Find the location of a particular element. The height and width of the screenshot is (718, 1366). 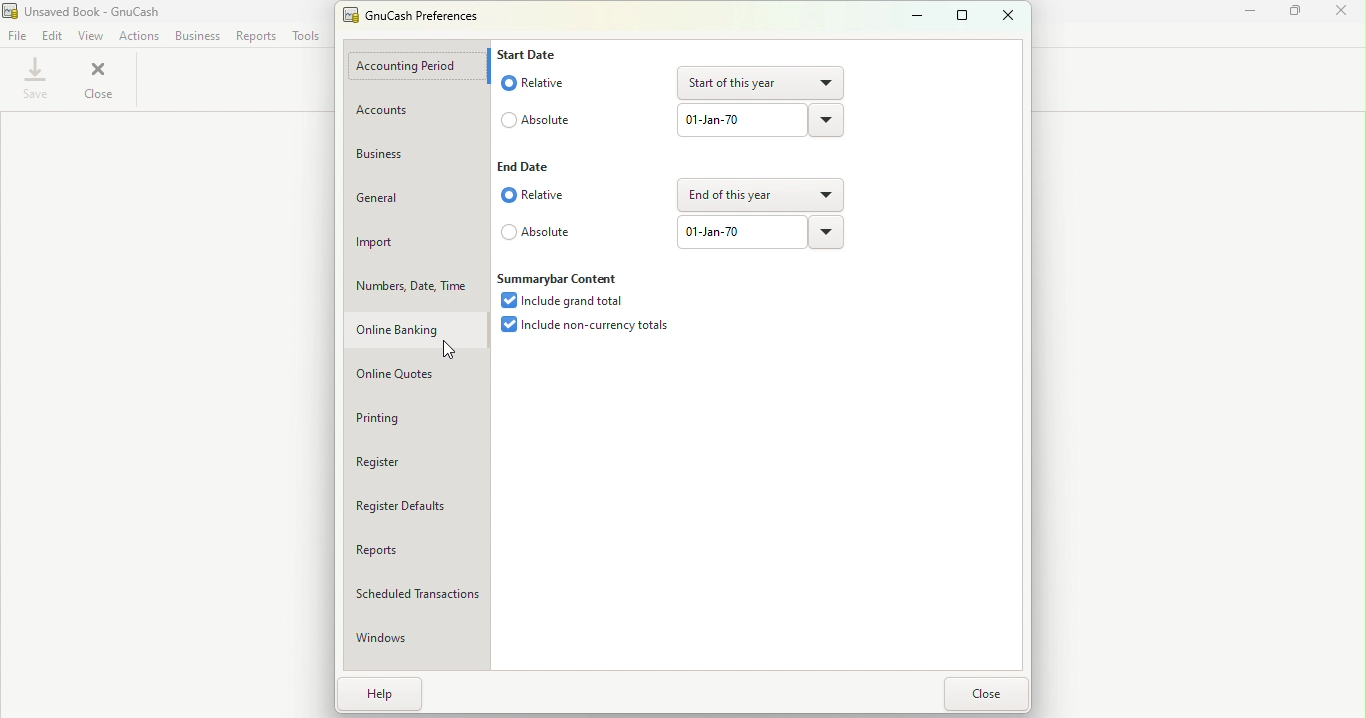

Relative is located at coordinates (538, 82).